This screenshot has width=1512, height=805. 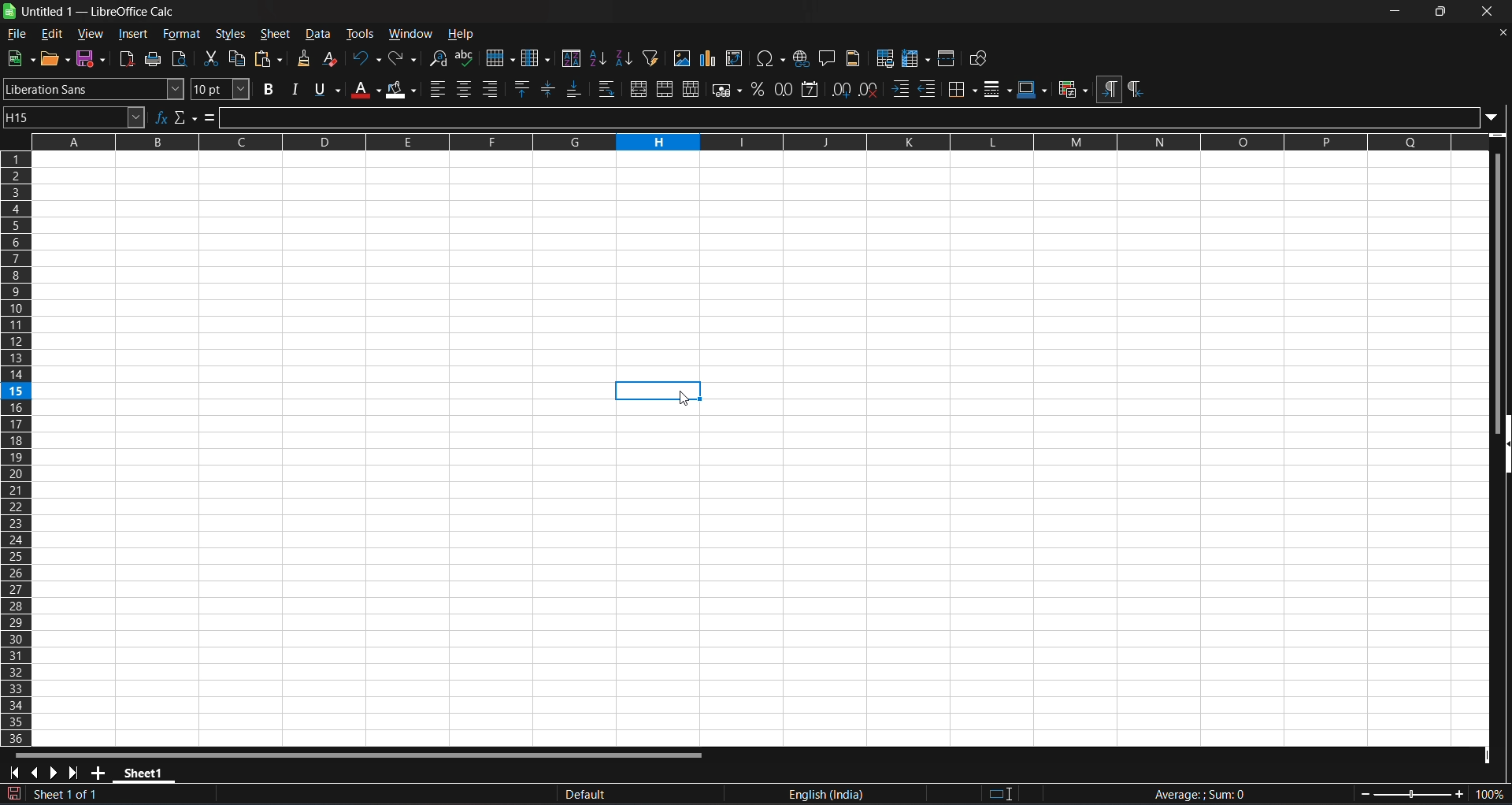 What do you see at coordinates (11, 11) in the screenshot?
I see `logo` at bounding box center [11, 11].